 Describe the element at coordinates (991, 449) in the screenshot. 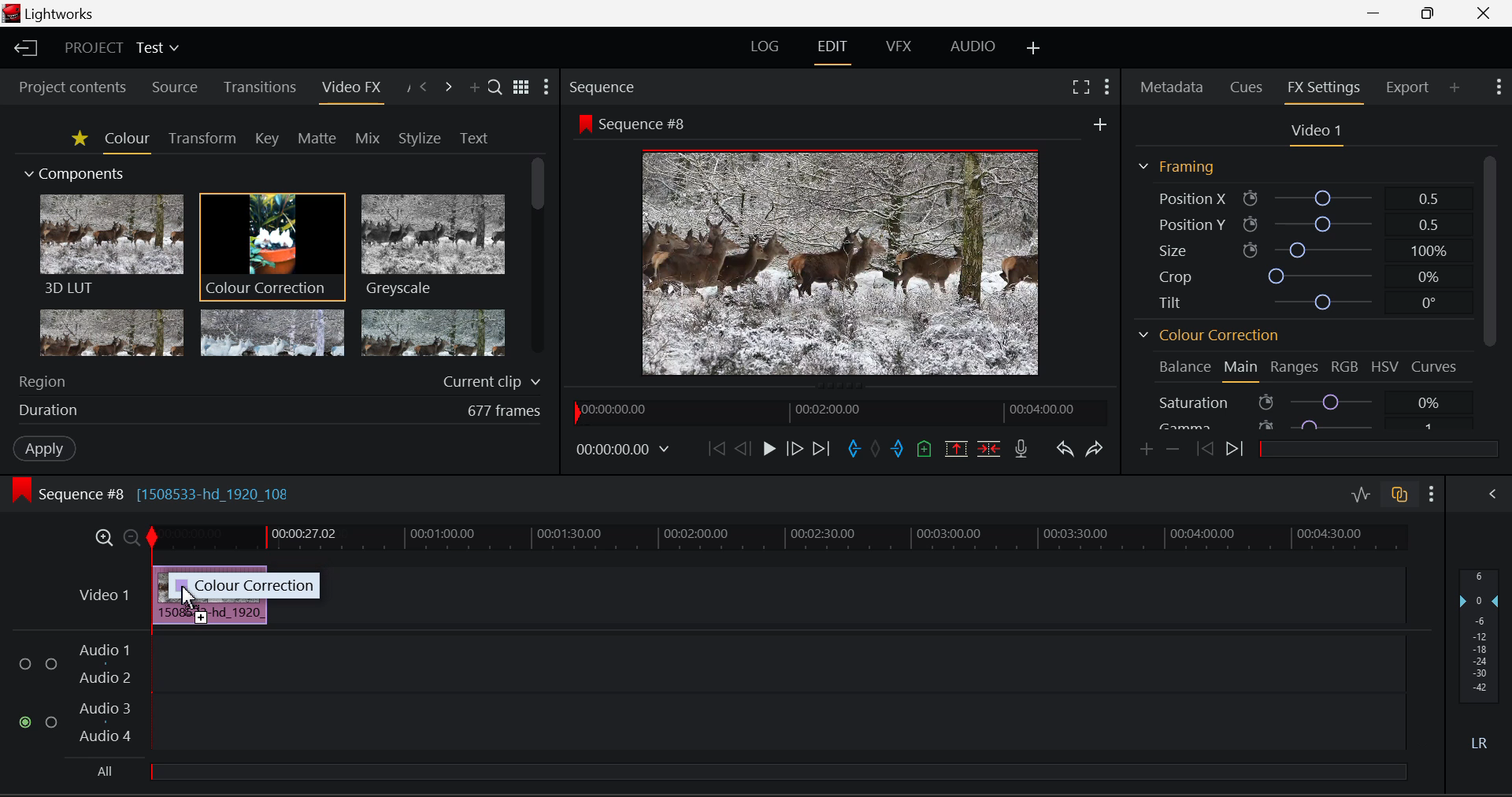

I see `Delete/Cut` at that location.